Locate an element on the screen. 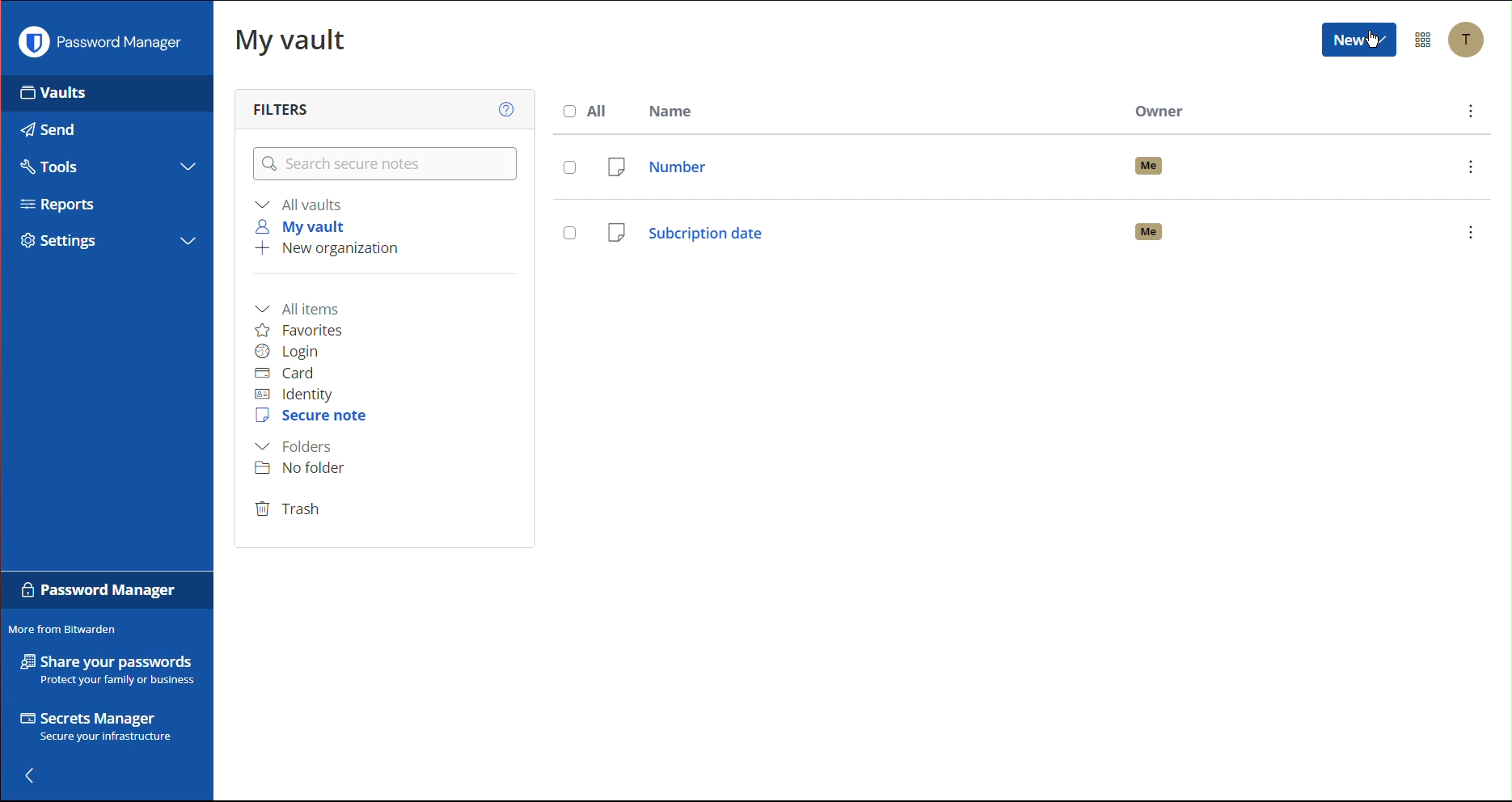 This screenshot has height=802, width=1512. Vaults is located at coordinates (53, 98).